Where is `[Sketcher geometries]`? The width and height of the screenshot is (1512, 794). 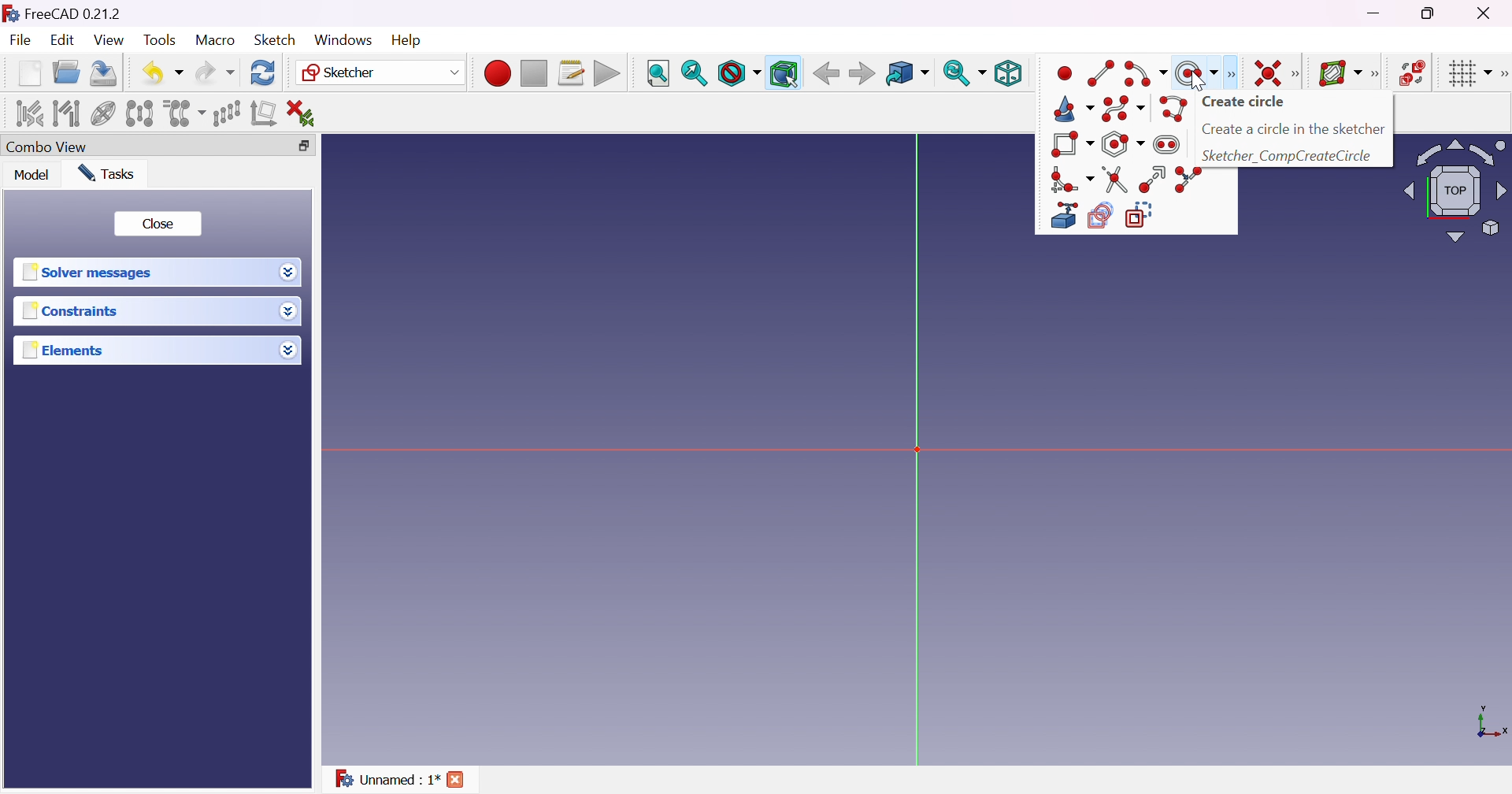 [Sketcher geometries] is located at coordinates (1235, 74).